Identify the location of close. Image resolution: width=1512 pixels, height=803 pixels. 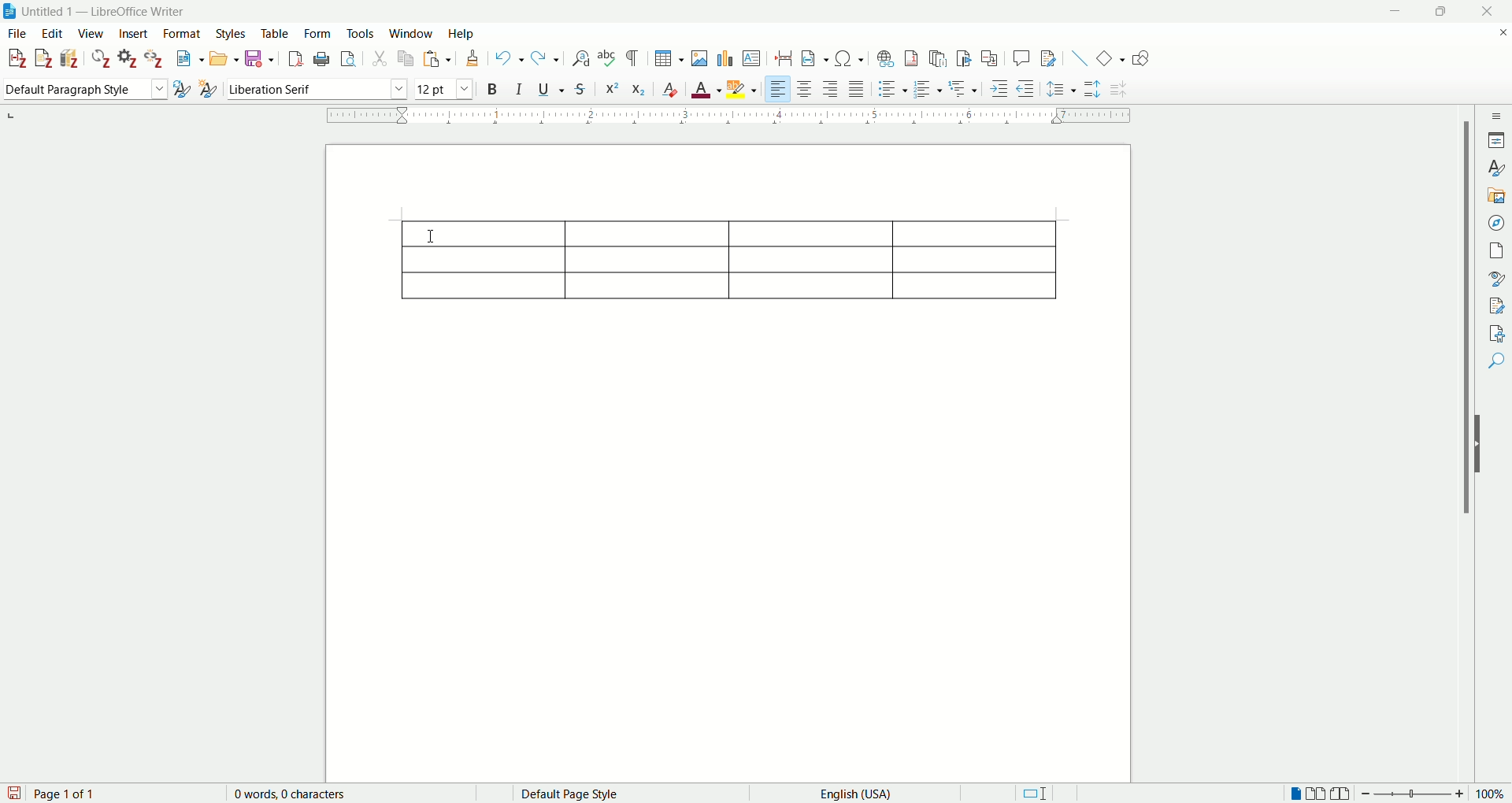
(1484, 10).